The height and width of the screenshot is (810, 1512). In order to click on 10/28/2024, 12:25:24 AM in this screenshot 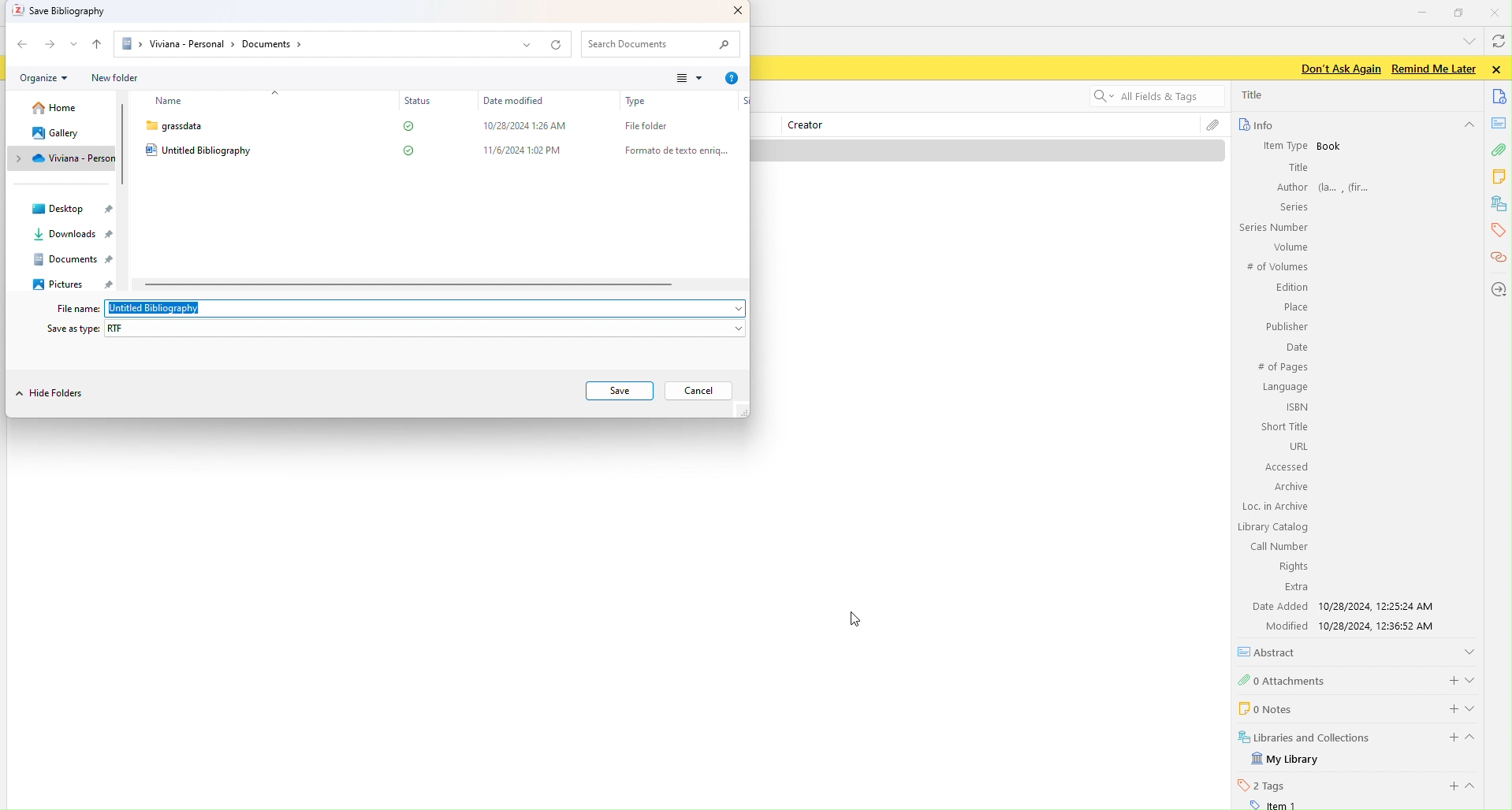, I will do `click(1381, 606)`.